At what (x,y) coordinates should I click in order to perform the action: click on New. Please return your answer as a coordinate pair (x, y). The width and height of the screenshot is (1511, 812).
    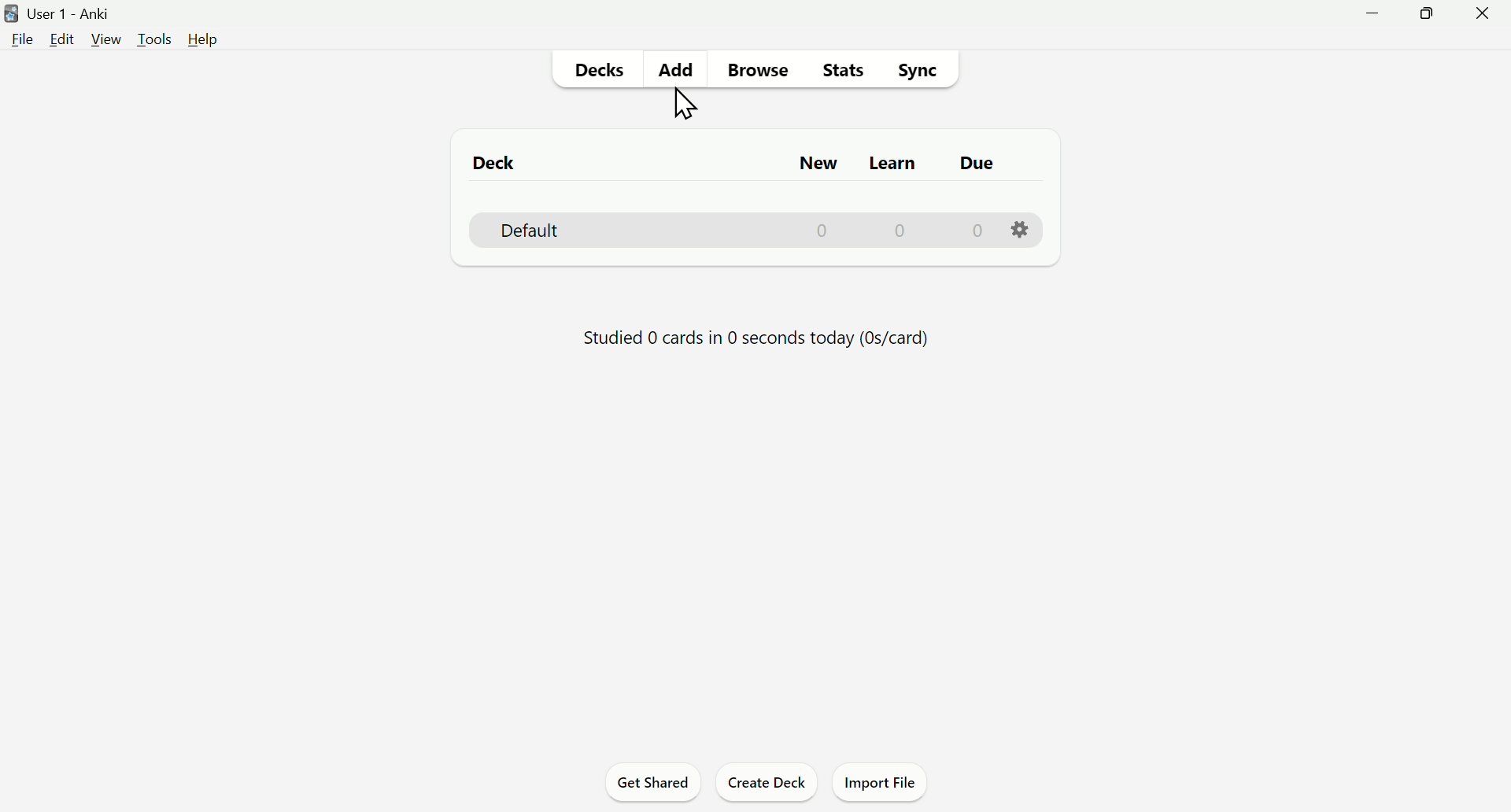
    Looking at the image, I should click on (821, 164).